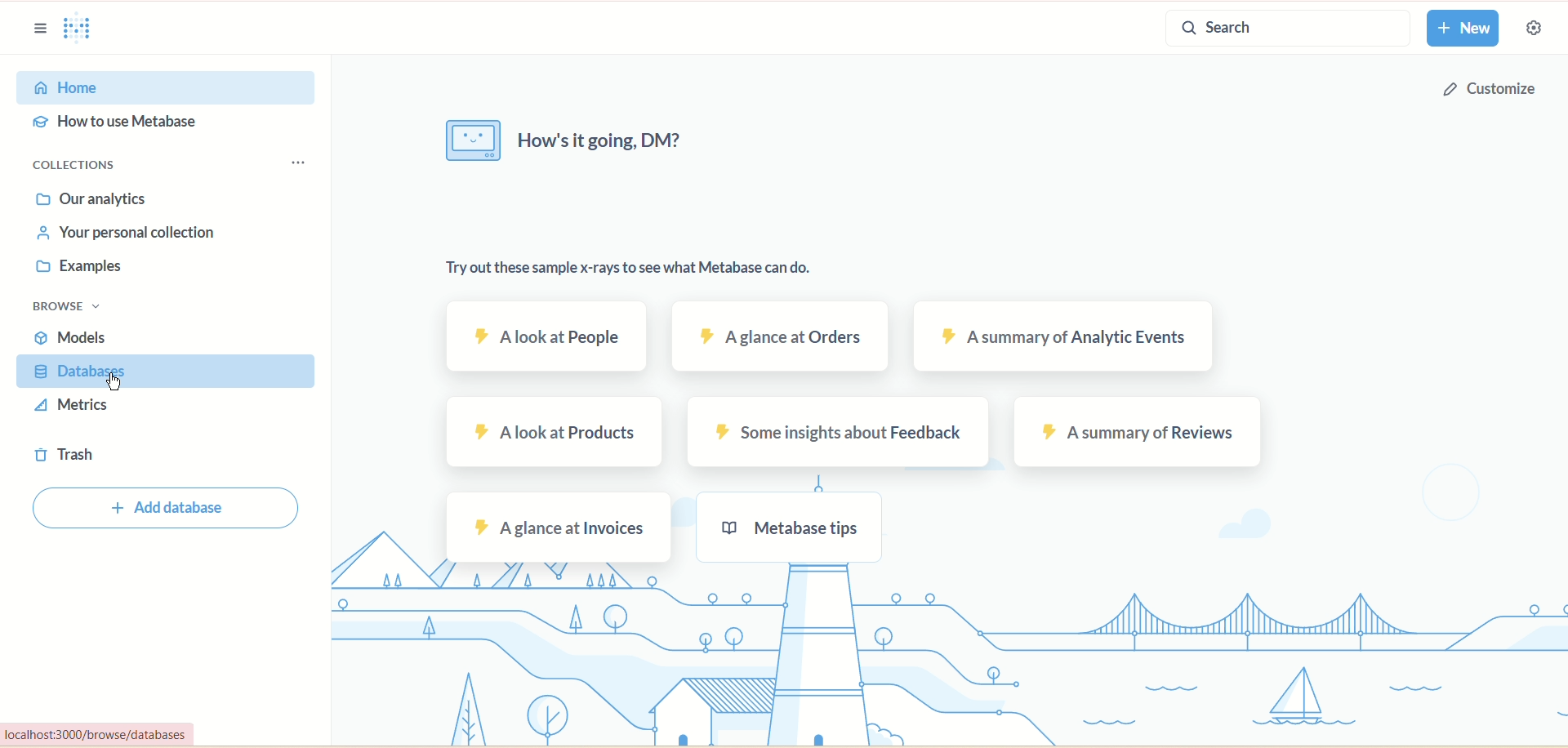 This screenshot has width=1568, height=748. Describe the element at coordinates (546, 335) in the screenshot. I see `a look at people` at that location.